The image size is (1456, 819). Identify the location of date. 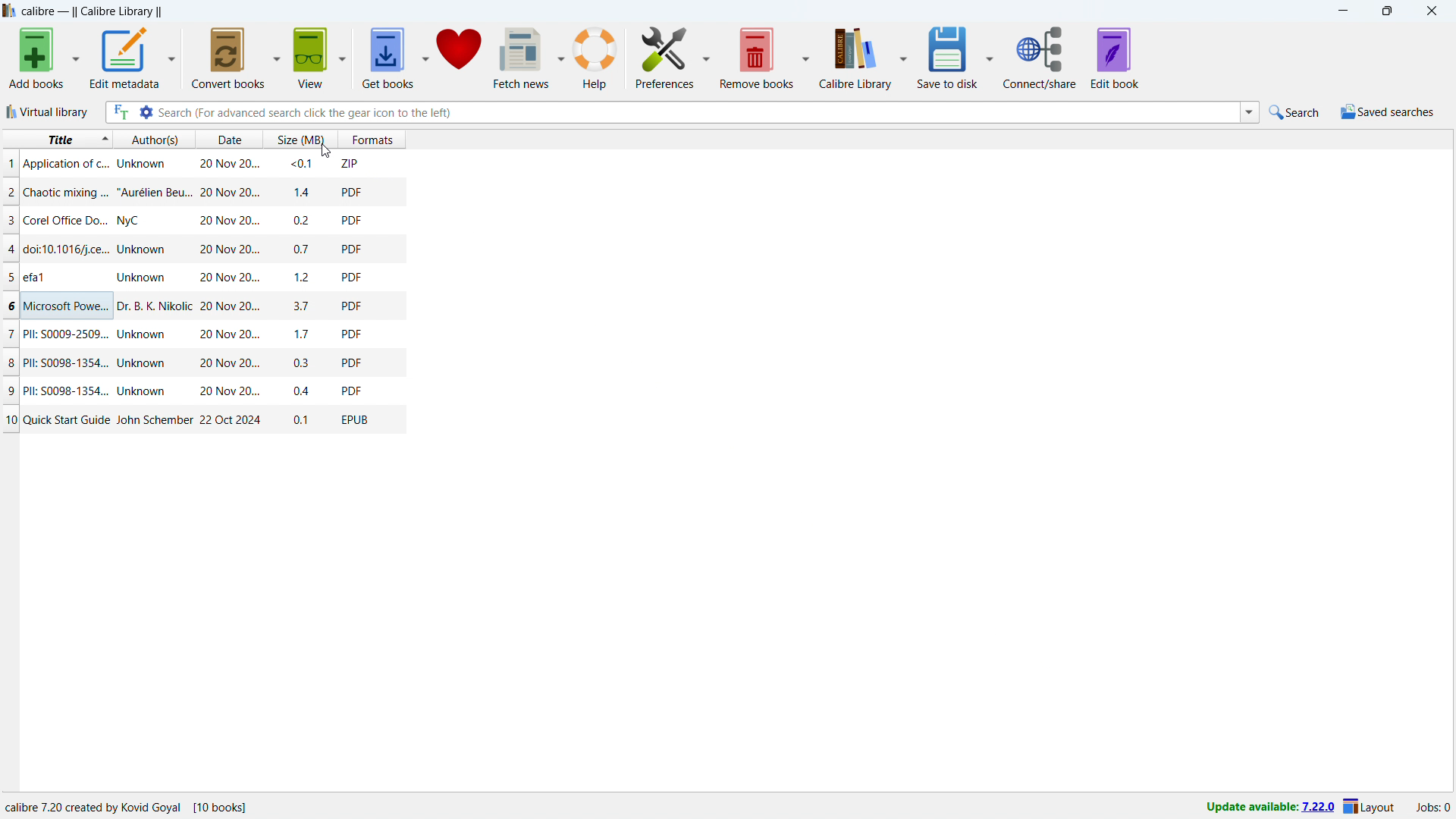
(230, 363).